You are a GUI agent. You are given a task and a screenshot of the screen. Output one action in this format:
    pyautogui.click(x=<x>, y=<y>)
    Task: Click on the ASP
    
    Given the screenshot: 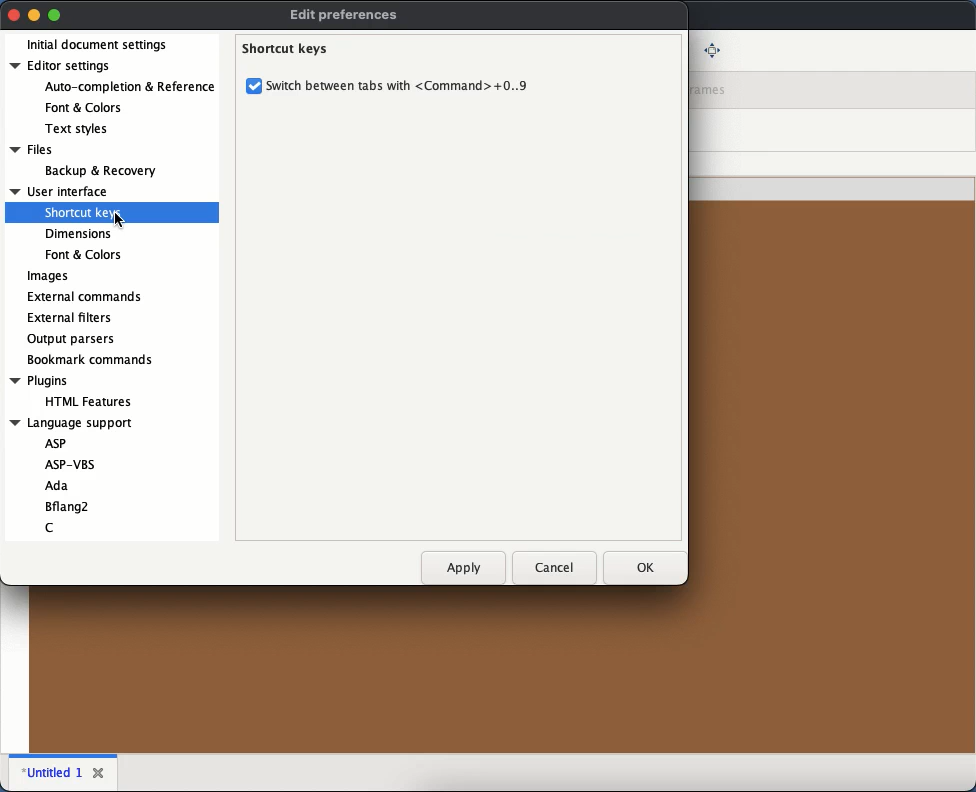 What is the action you would take?
    pyautogui.click(x=55, y=445)
    